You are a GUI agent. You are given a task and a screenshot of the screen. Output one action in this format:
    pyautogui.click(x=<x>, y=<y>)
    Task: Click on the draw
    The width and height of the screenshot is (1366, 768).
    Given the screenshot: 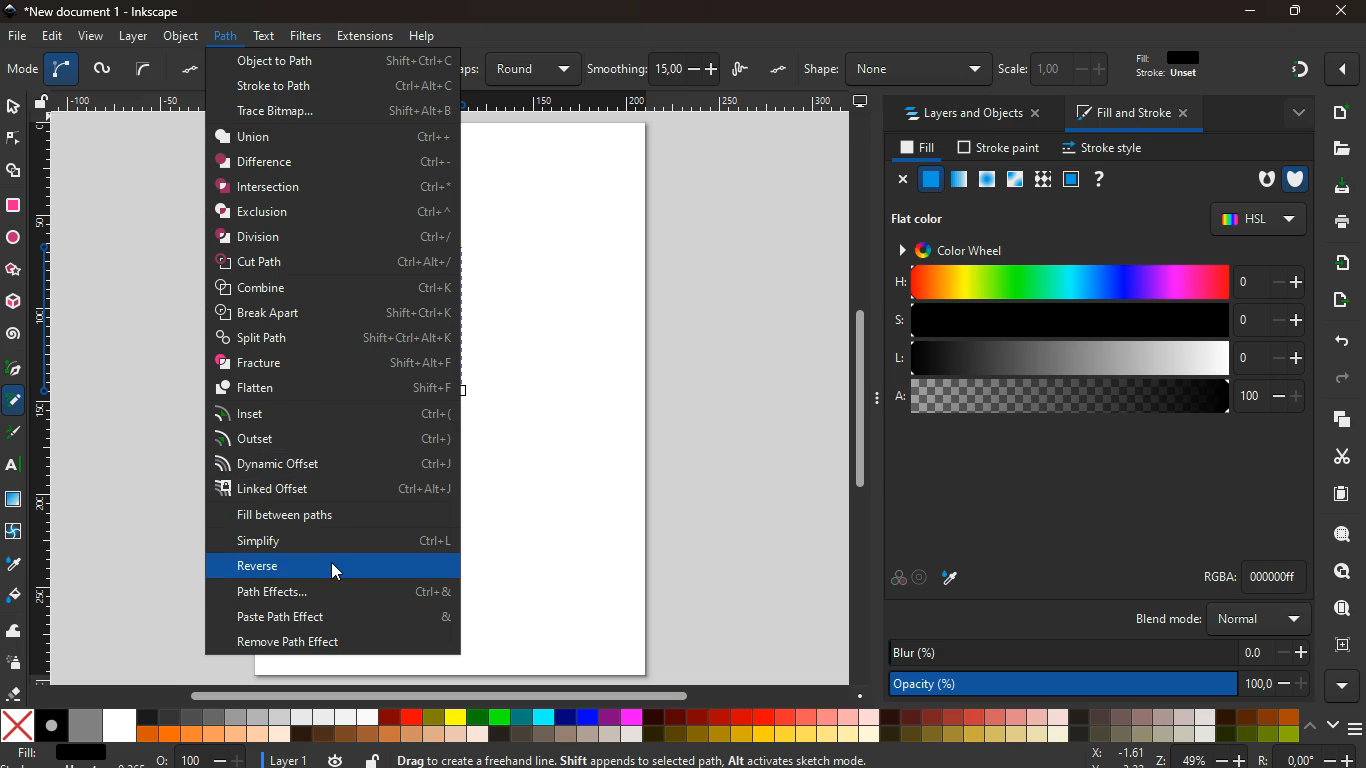 What is the action you would take?
    pyautogui.click(x=15, y=436)
    